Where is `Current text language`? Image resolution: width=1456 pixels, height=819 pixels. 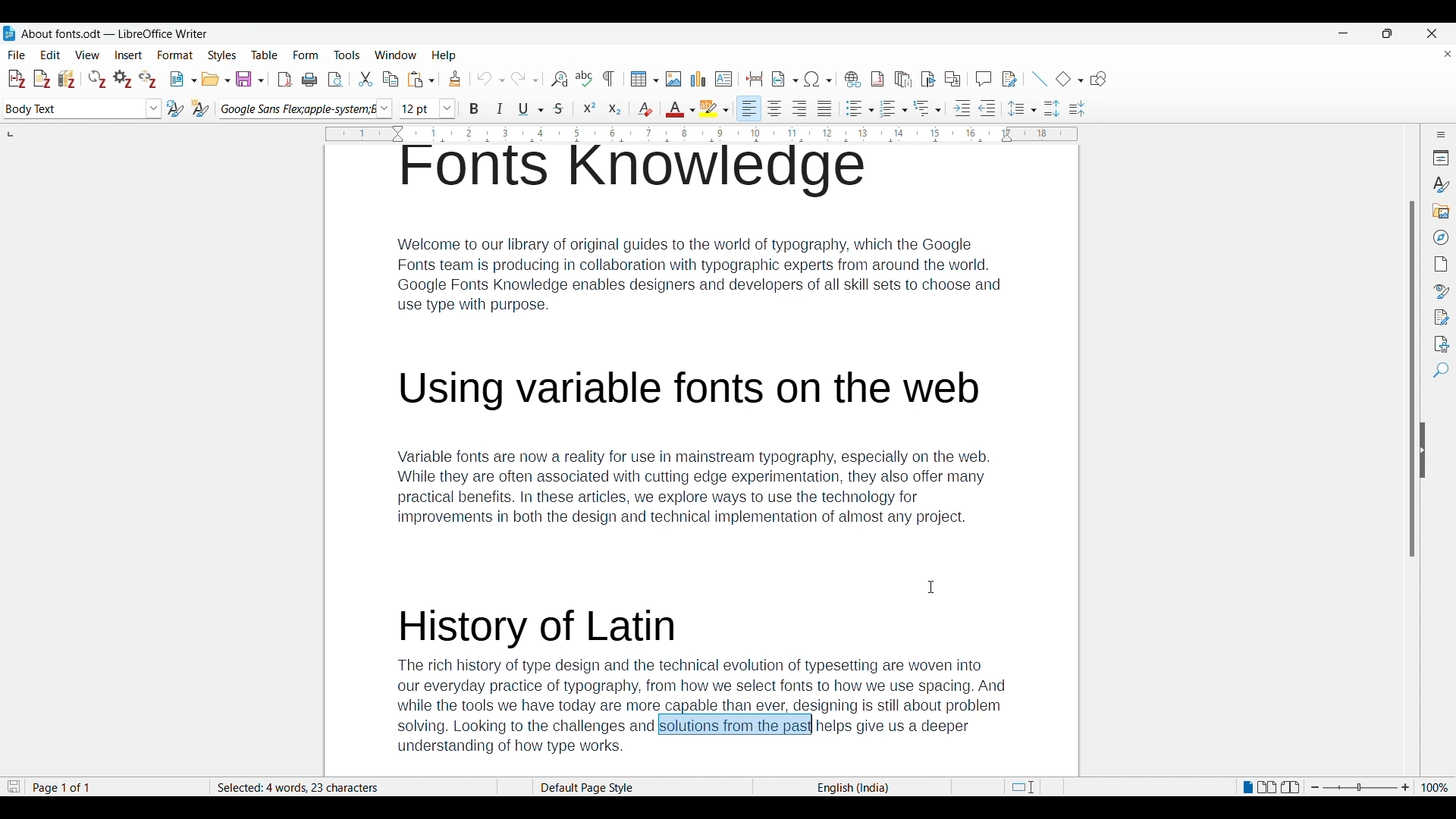 Current text language is located at coordinates (852, 788).